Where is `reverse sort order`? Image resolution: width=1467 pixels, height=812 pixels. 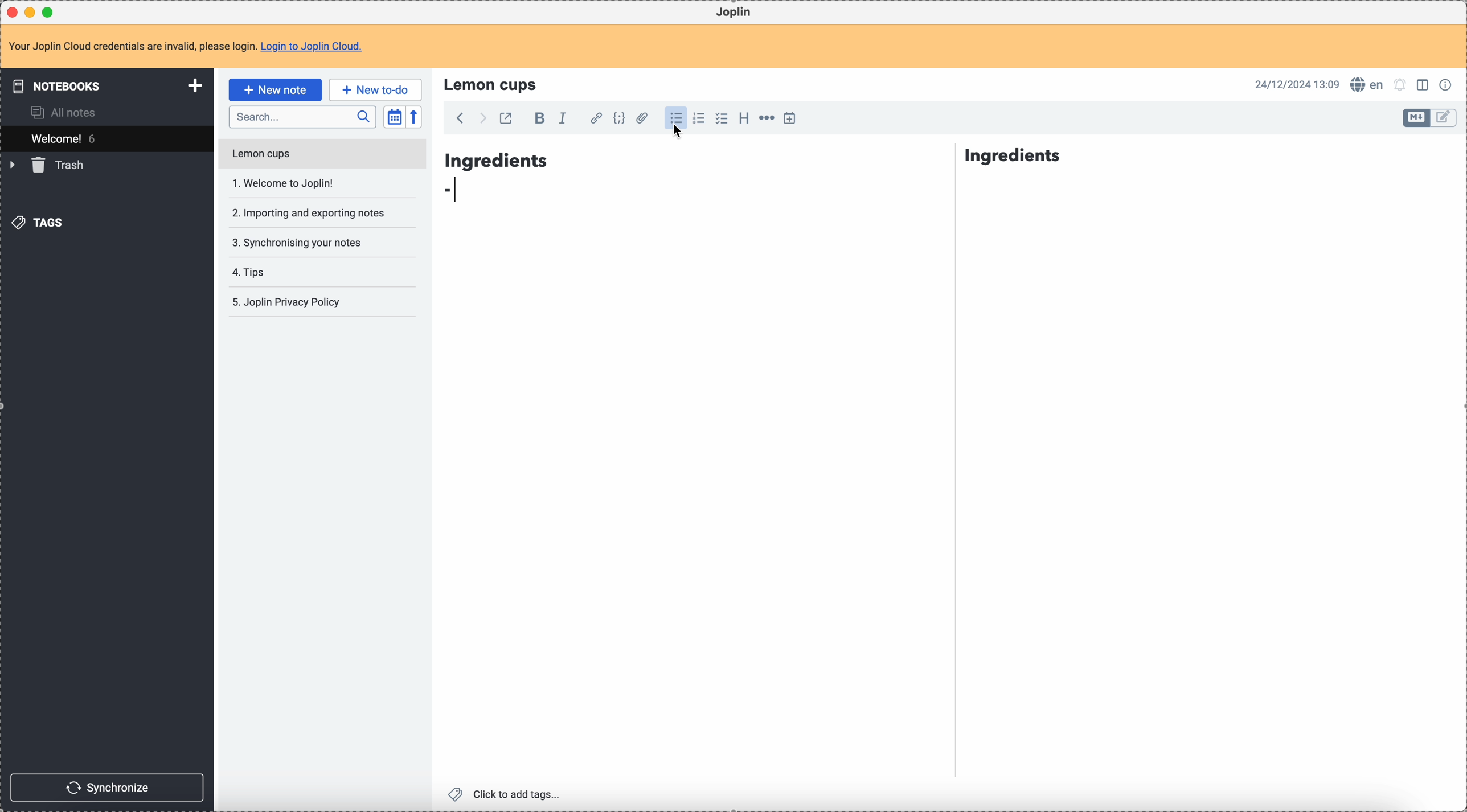 reverse sort order is located at coordinates (416, 117).